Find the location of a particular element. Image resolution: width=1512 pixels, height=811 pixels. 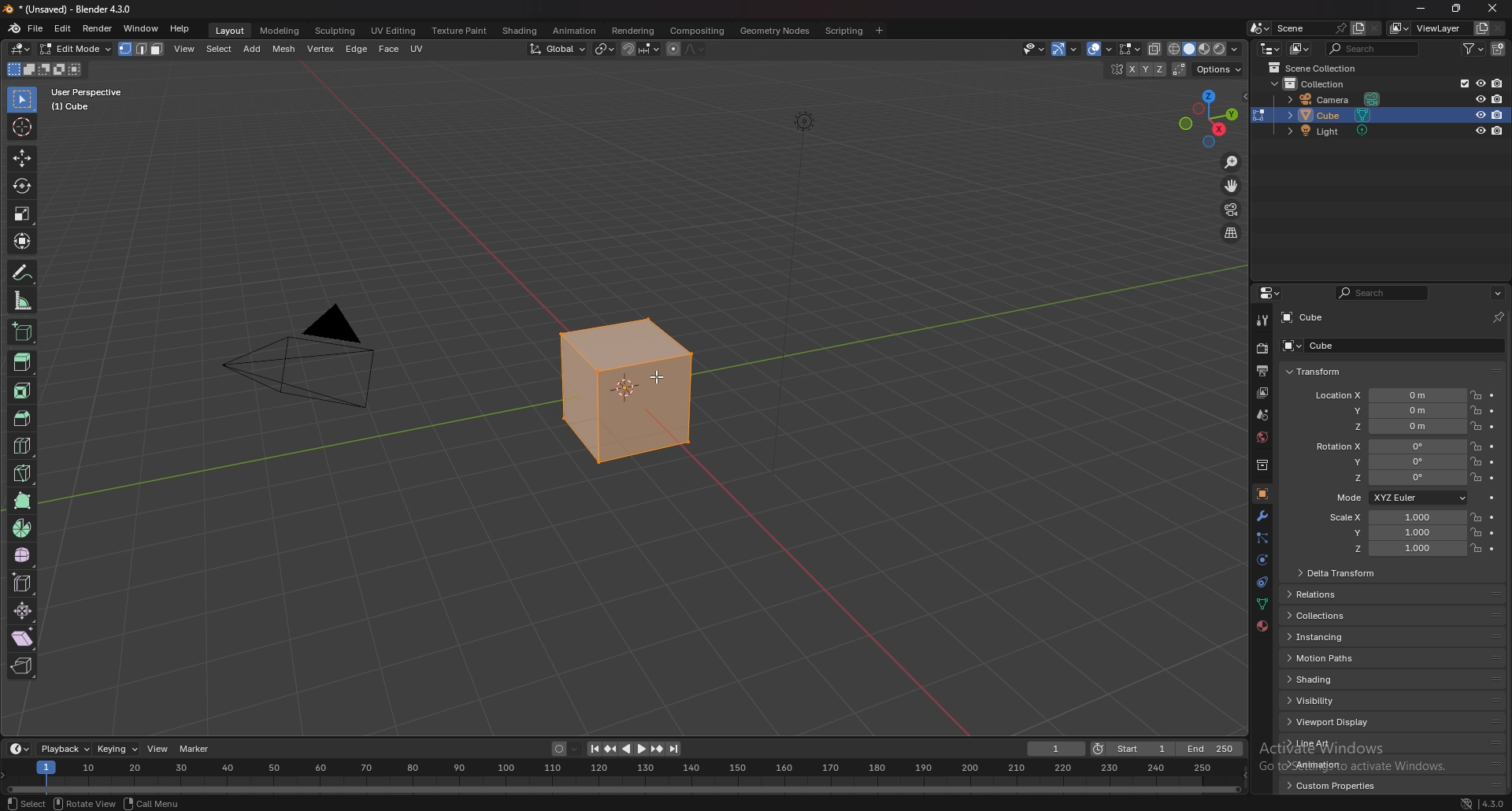

compositing is located at coordinates (700, 31).